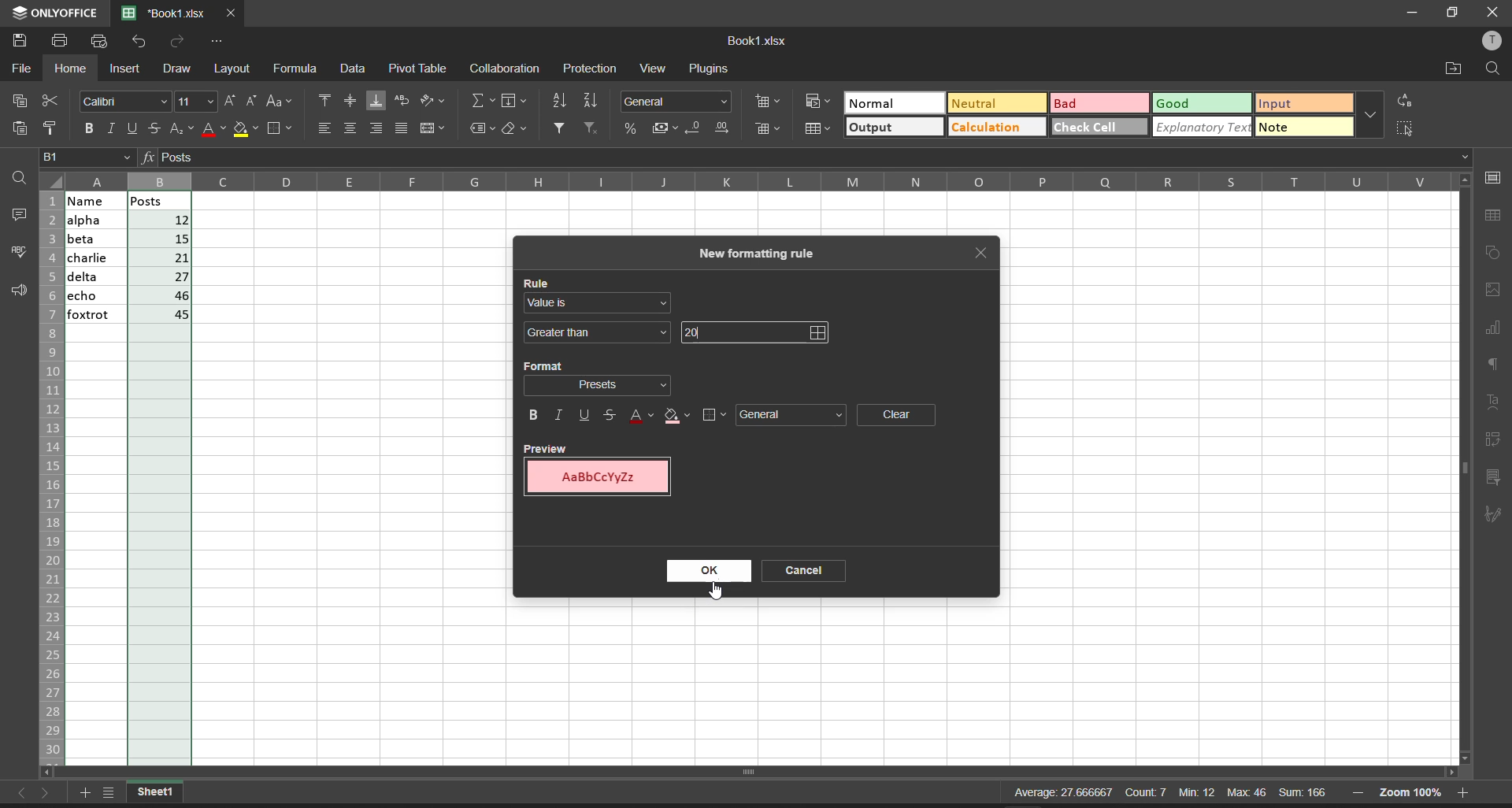  Describe the element at coordinates (232, 12) in the screenshot. I see `close tab` at that location.